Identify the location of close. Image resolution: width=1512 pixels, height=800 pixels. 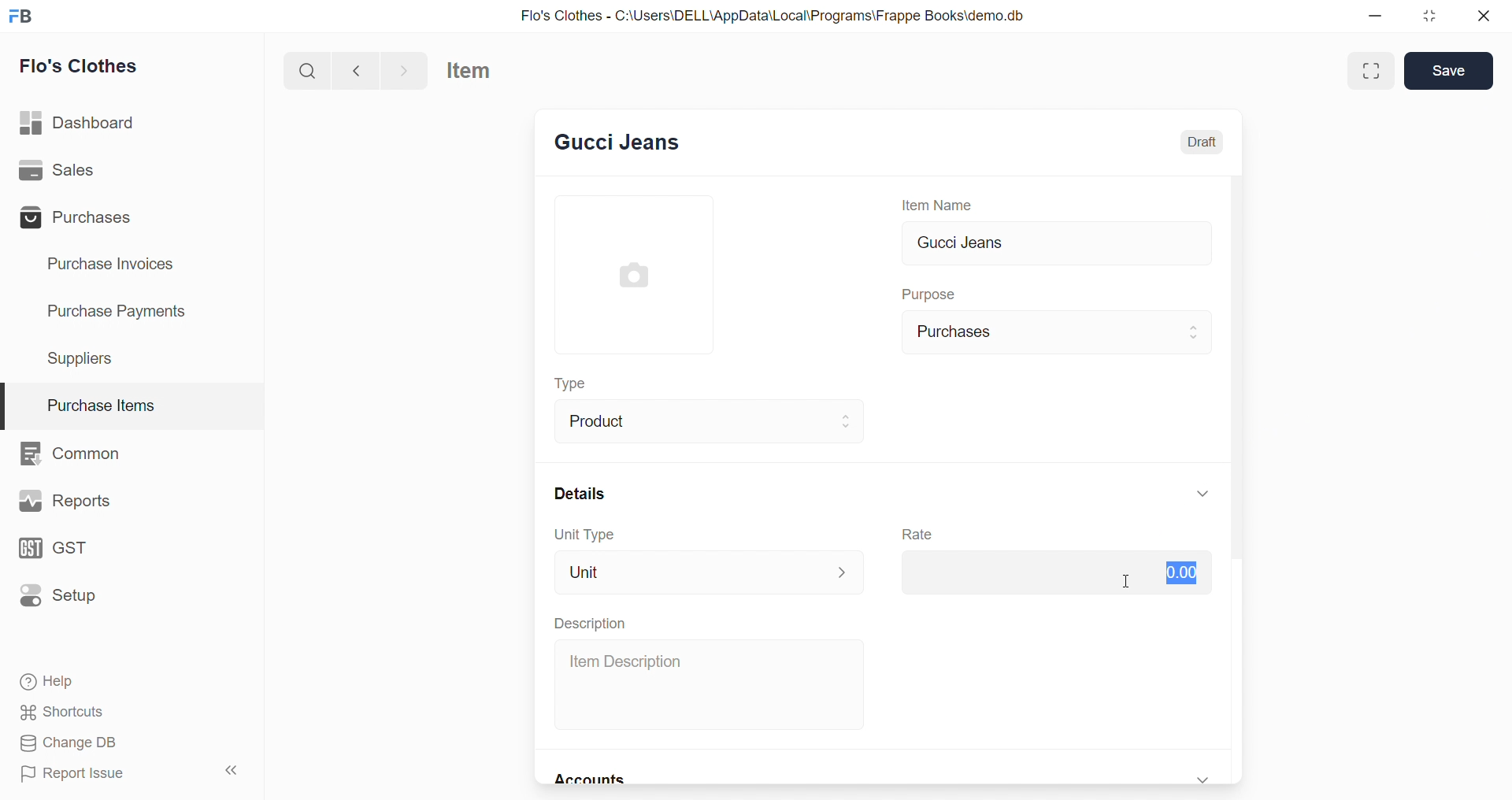
(1478, 16).